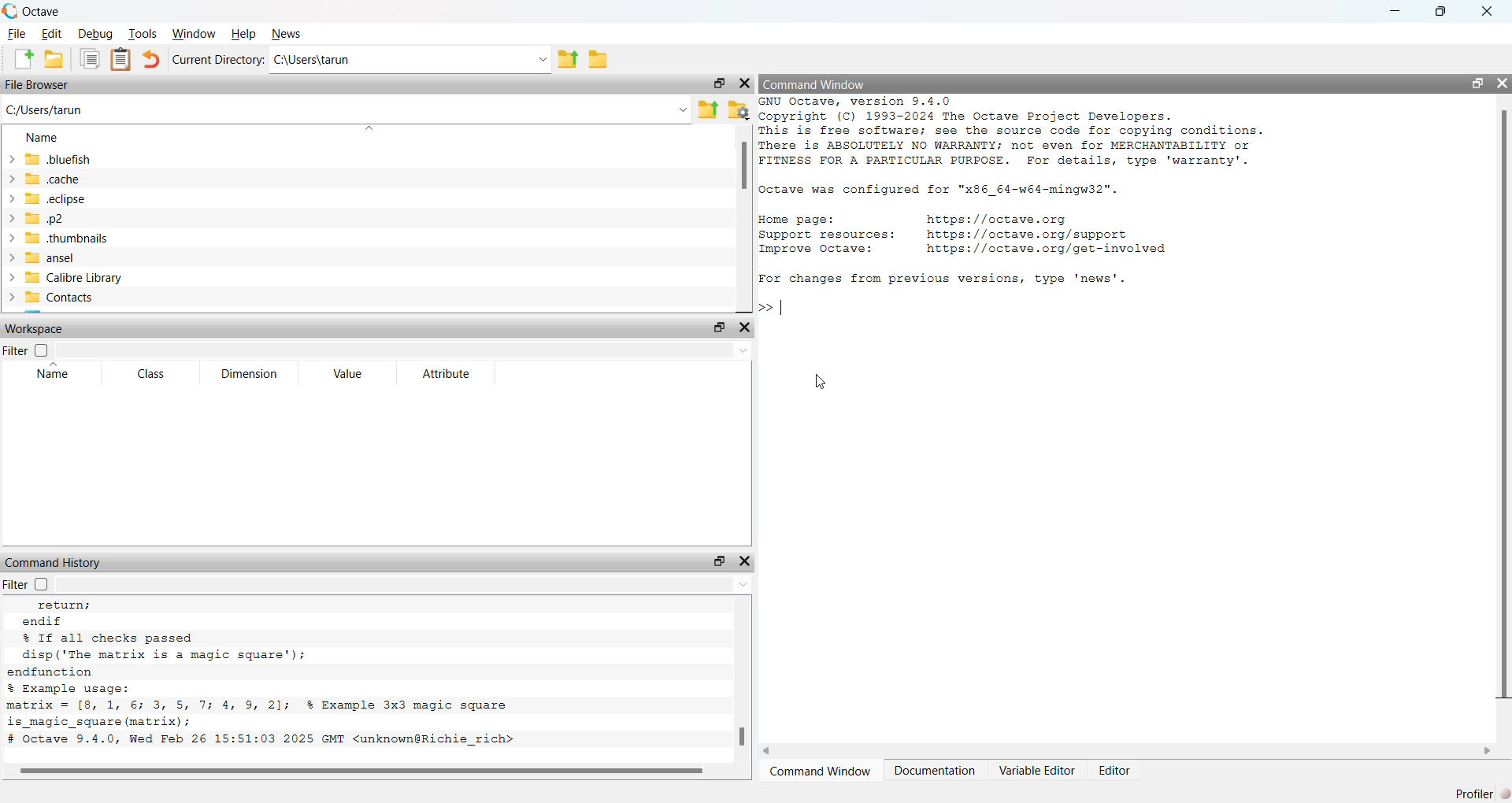  What do you see at coordinates (1116, 770) in the screenshot?
I see `Editor` at bounding box center [1116, 770].